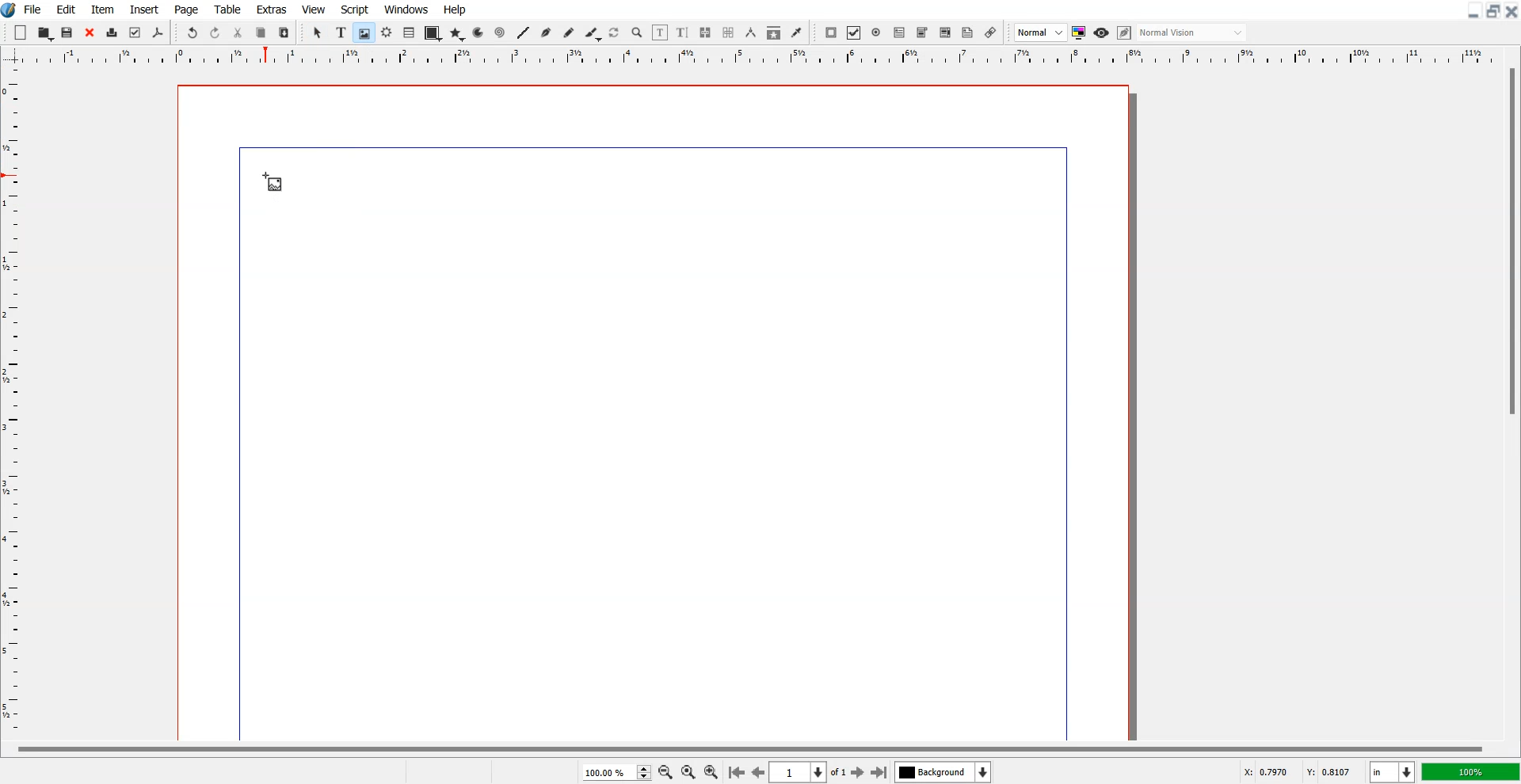 The height and width of the screenshot is (784, 1521). Describe the element at coordinates (832, 32) in the screenshot. I see `PDF Push Button` at that location.